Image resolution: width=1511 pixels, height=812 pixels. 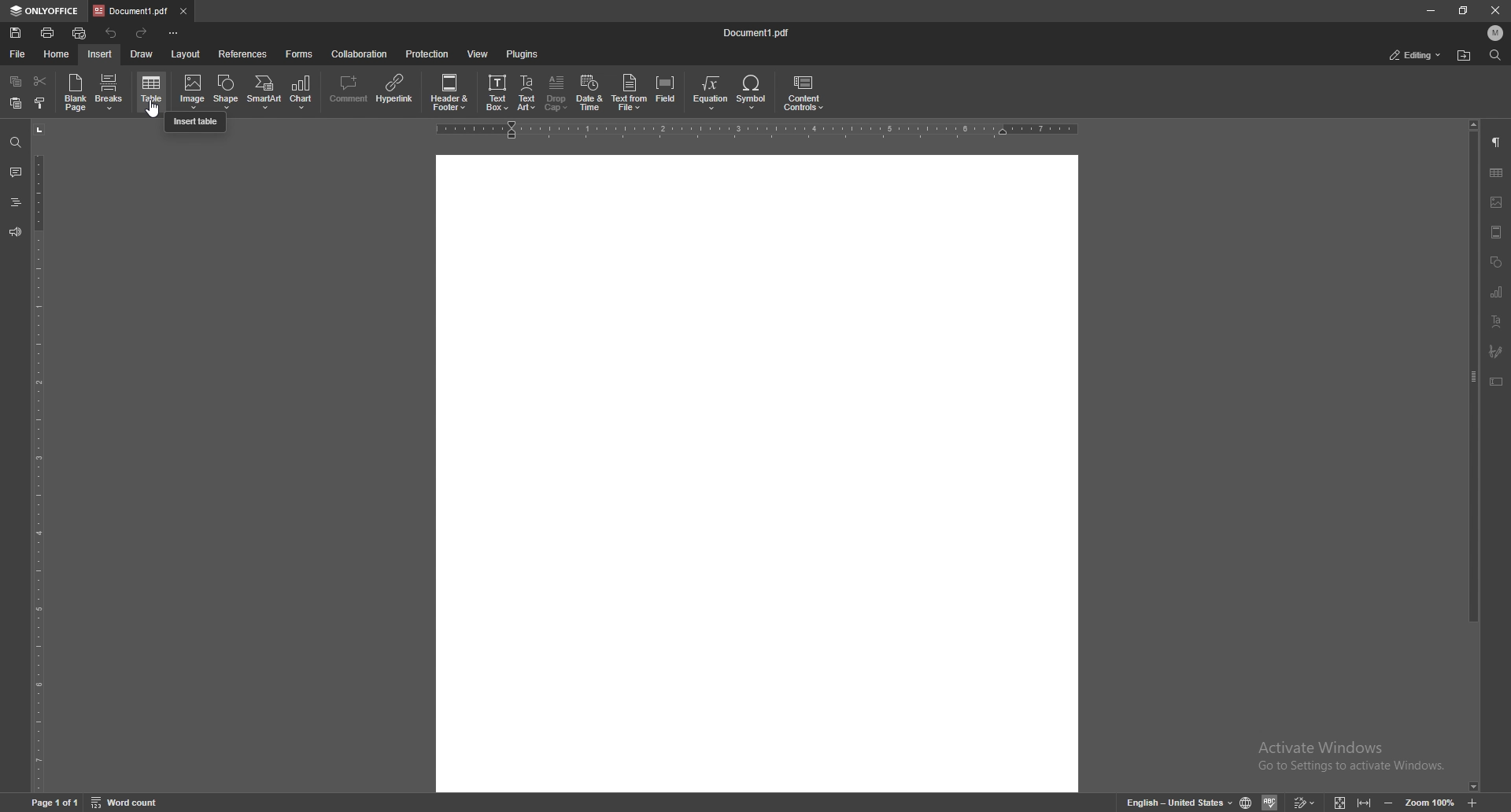 I want to click on comment, so click(x=348, y=92).